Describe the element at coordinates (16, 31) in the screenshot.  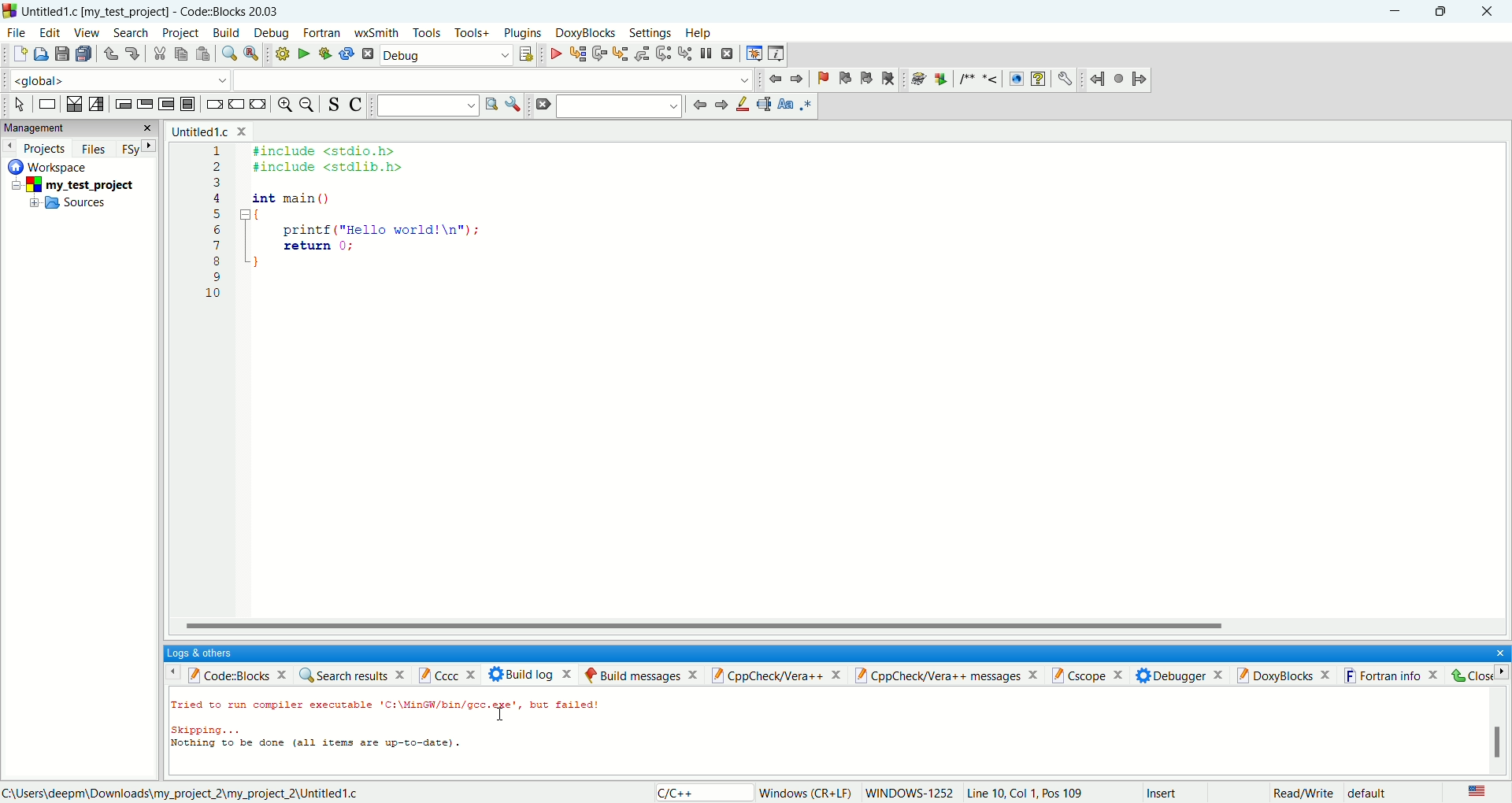
I see `file` at that location.